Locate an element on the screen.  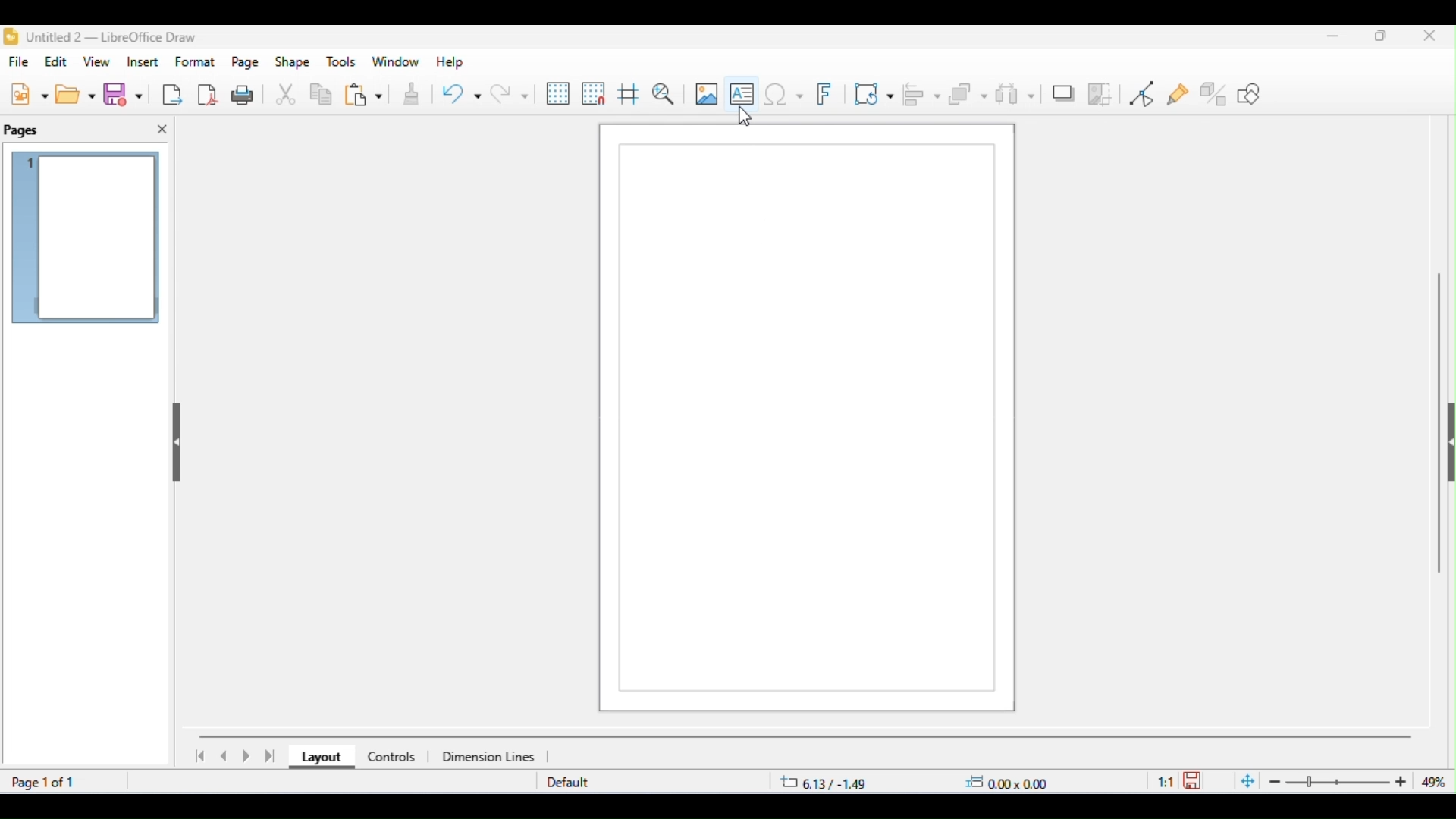
zoom and pan is located at coordinates (664, 94).